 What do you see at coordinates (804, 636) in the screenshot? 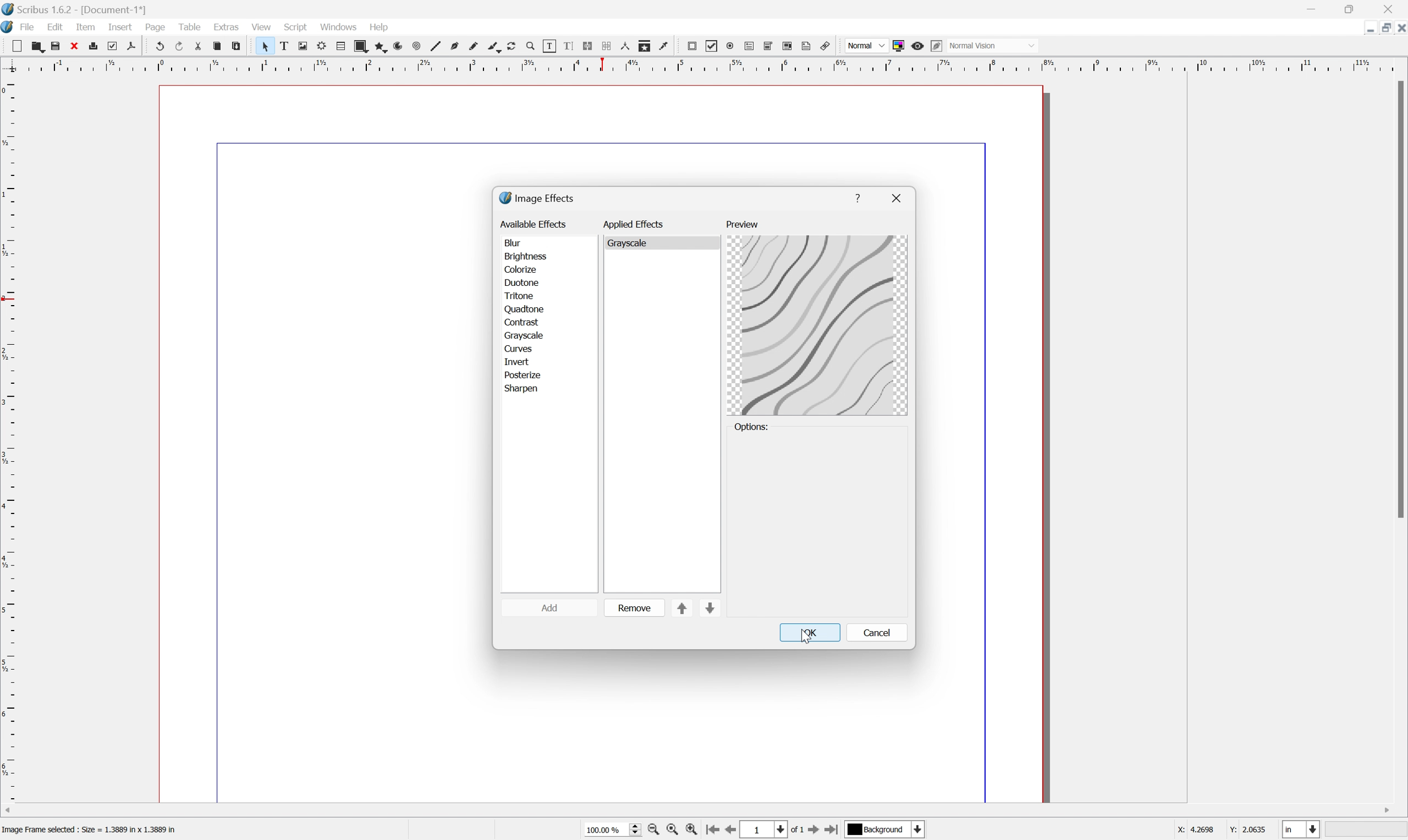
I see `cursor` at bounding box center [804, 636].